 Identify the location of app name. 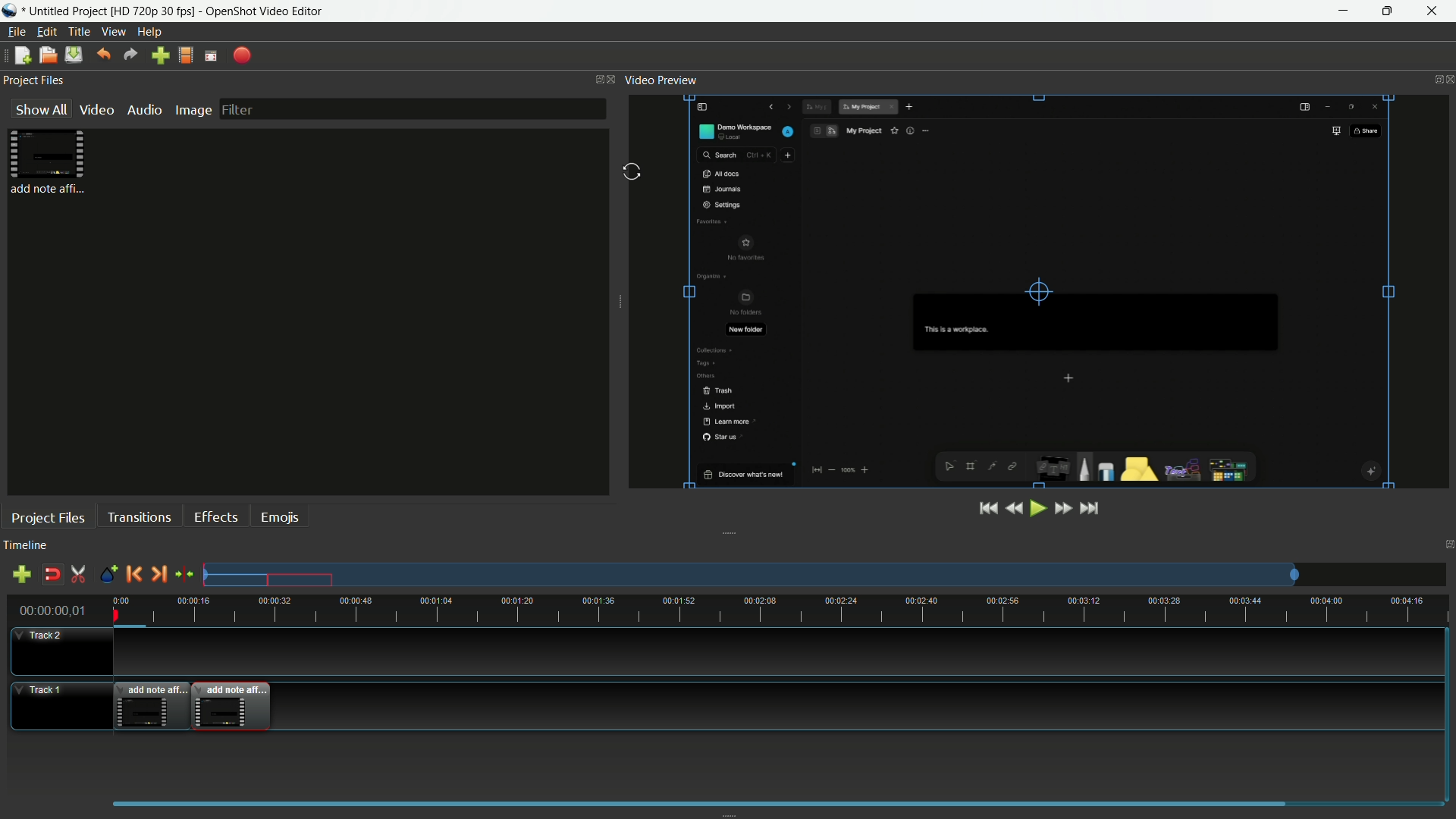
(267, 11).